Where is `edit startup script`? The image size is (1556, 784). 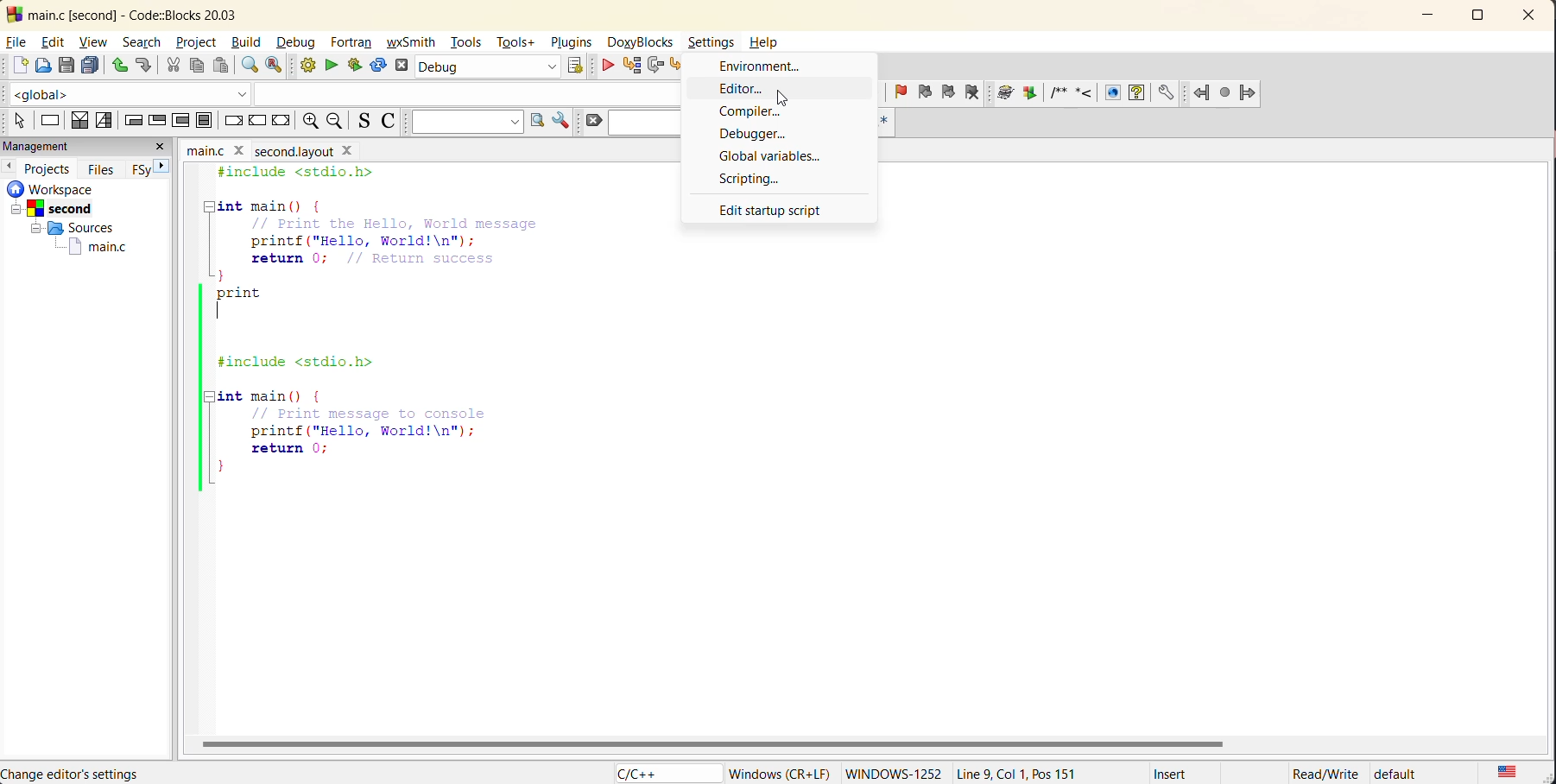
edit startup script is located at coordinates (775, 210).